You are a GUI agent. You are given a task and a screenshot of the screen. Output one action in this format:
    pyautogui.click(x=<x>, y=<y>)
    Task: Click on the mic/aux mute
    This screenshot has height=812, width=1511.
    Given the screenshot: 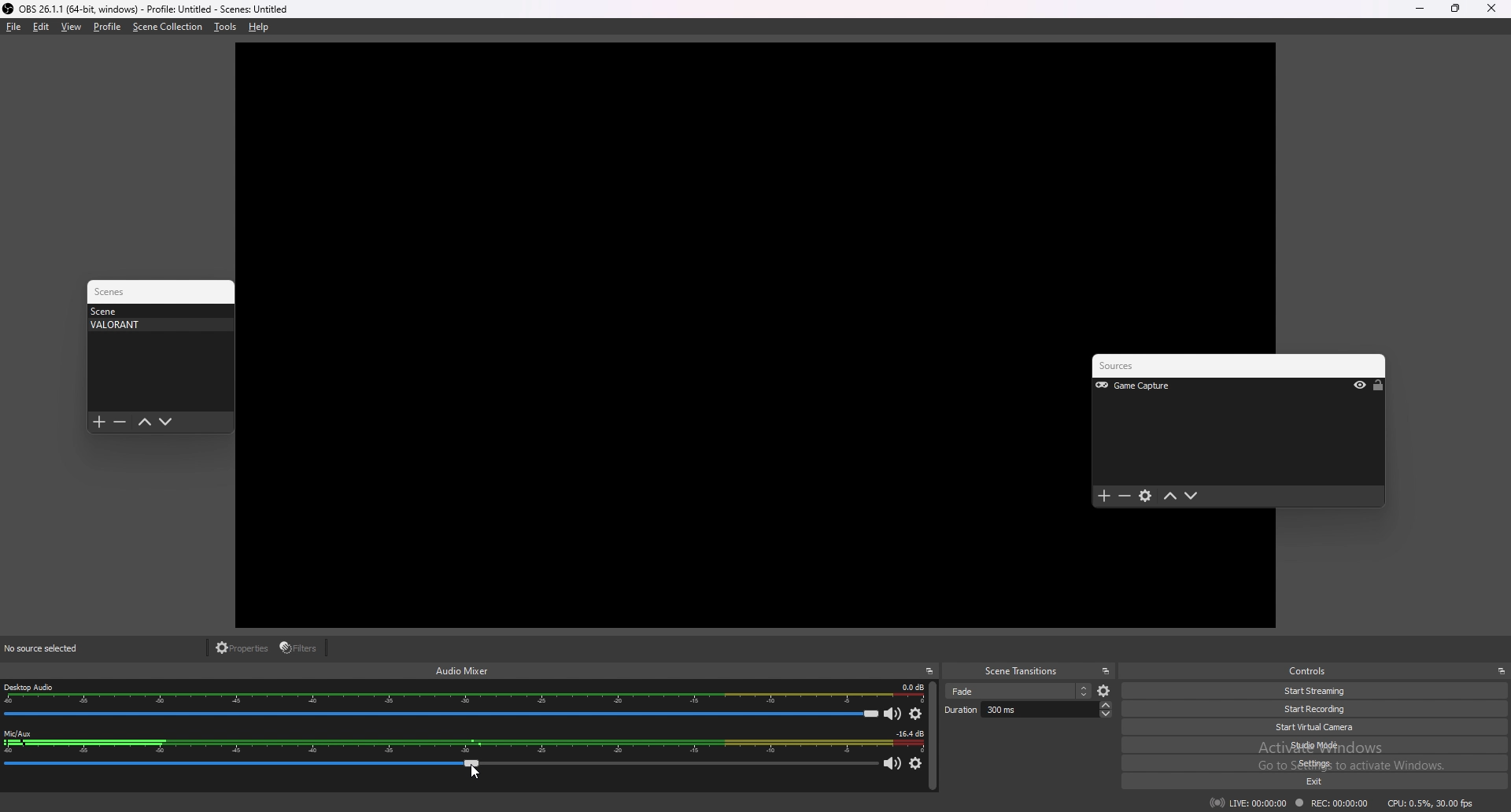 What is the action you would take?
    pyautogui.click(x=894, y=765)
    